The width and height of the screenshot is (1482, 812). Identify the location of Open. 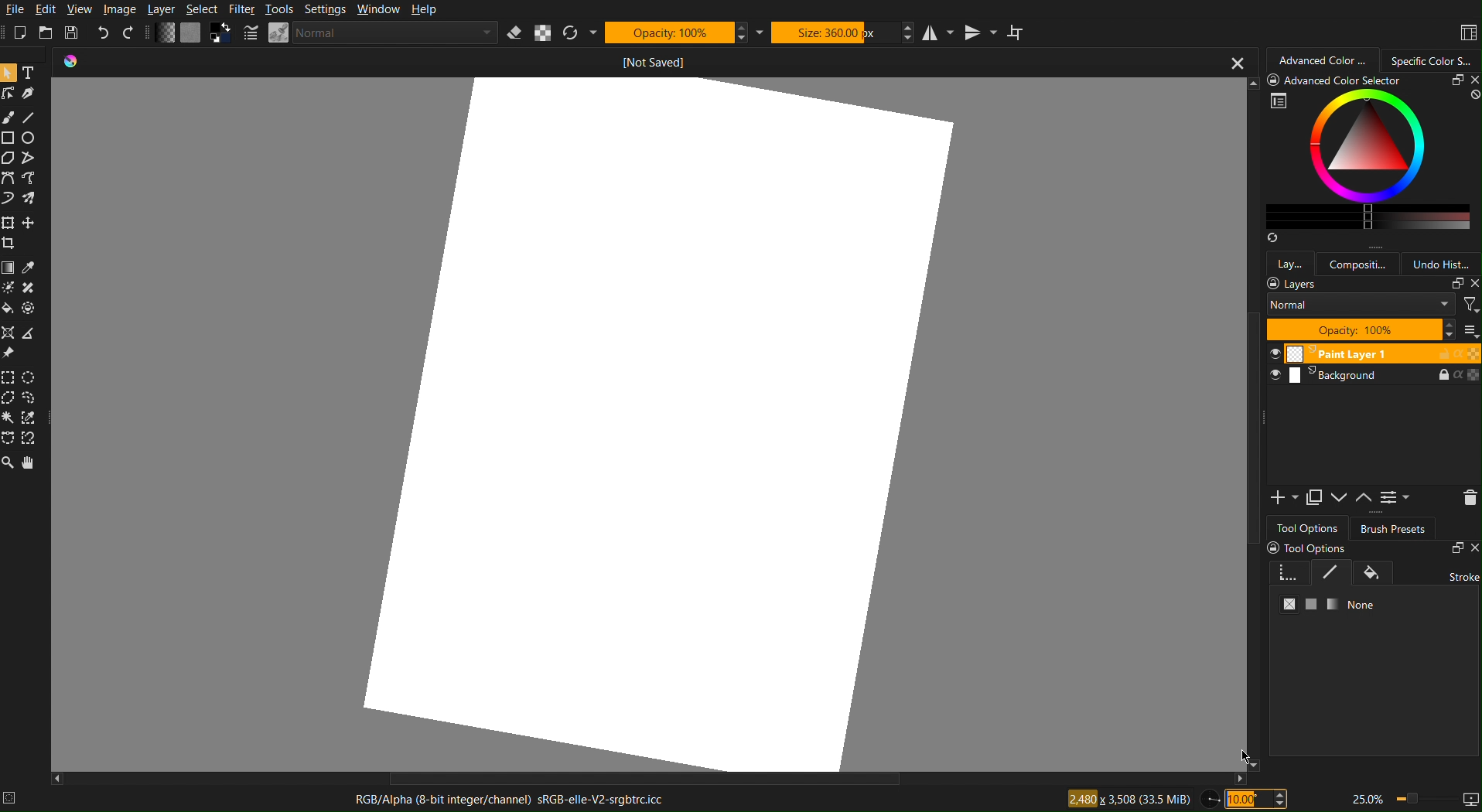
(44, 32).